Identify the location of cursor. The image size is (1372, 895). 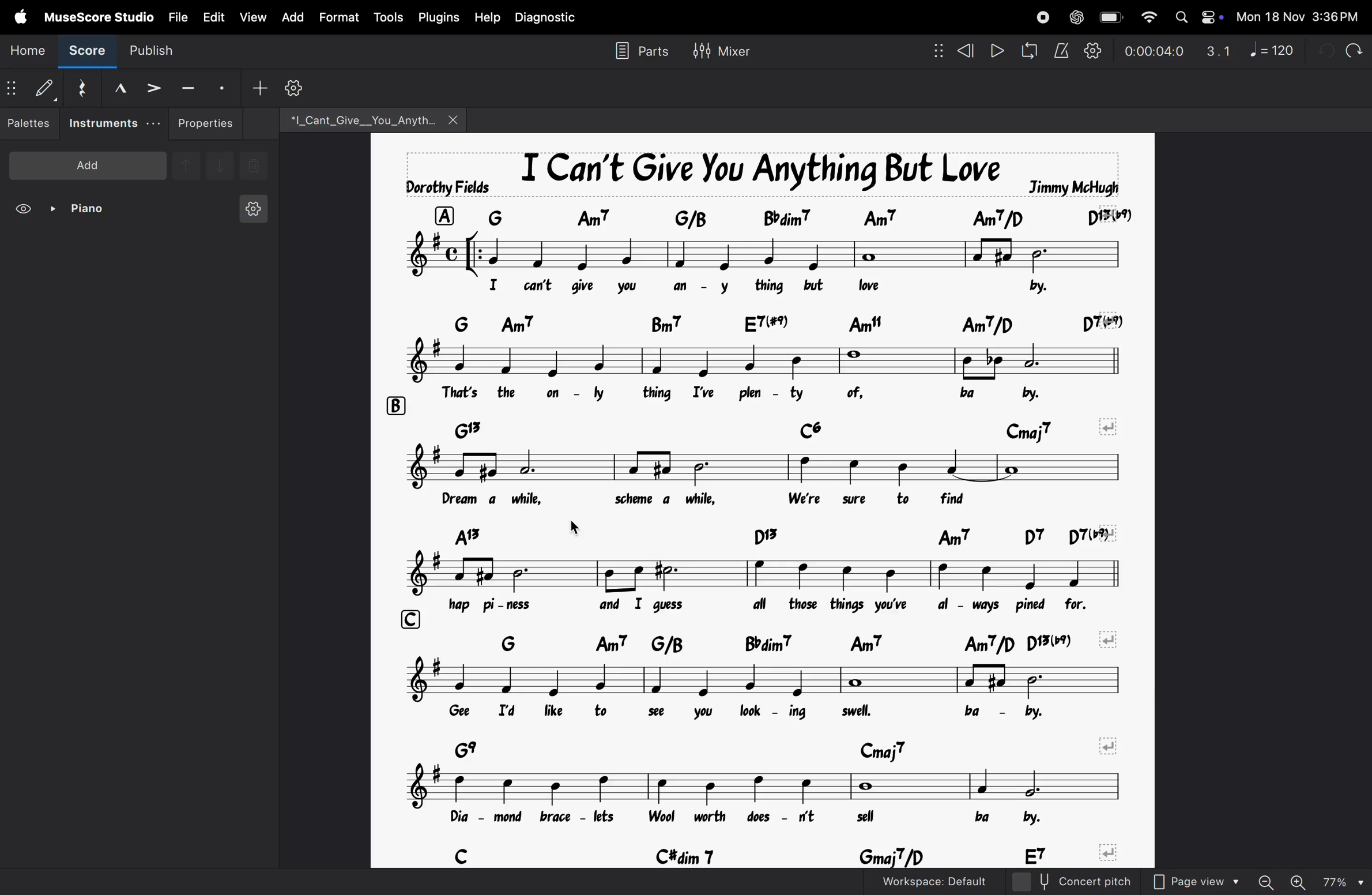
(572, 527).